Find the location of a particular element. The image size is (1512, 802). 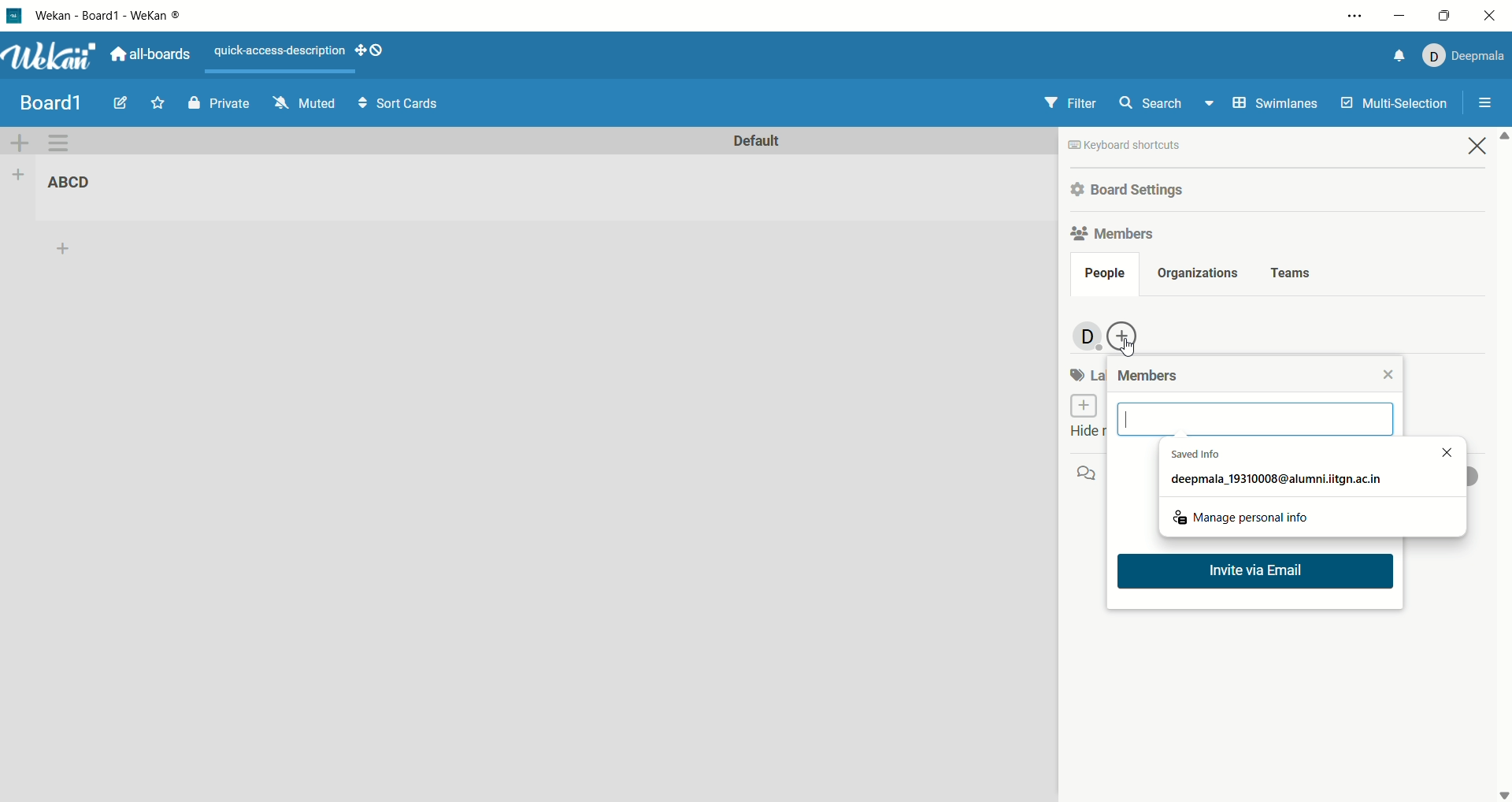

close is located at coordinates (1493, 16).